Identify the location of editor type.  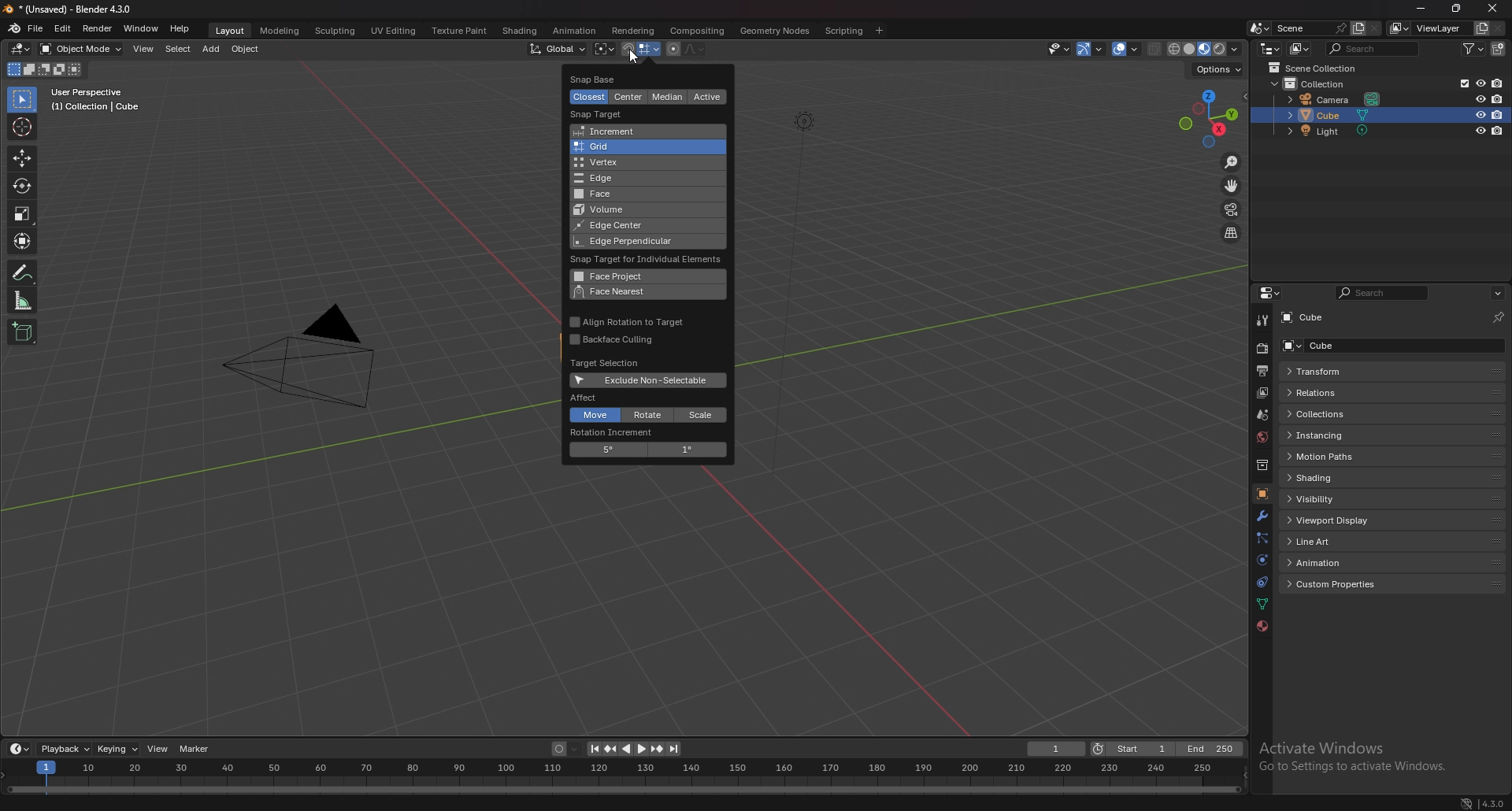
(22, 49).